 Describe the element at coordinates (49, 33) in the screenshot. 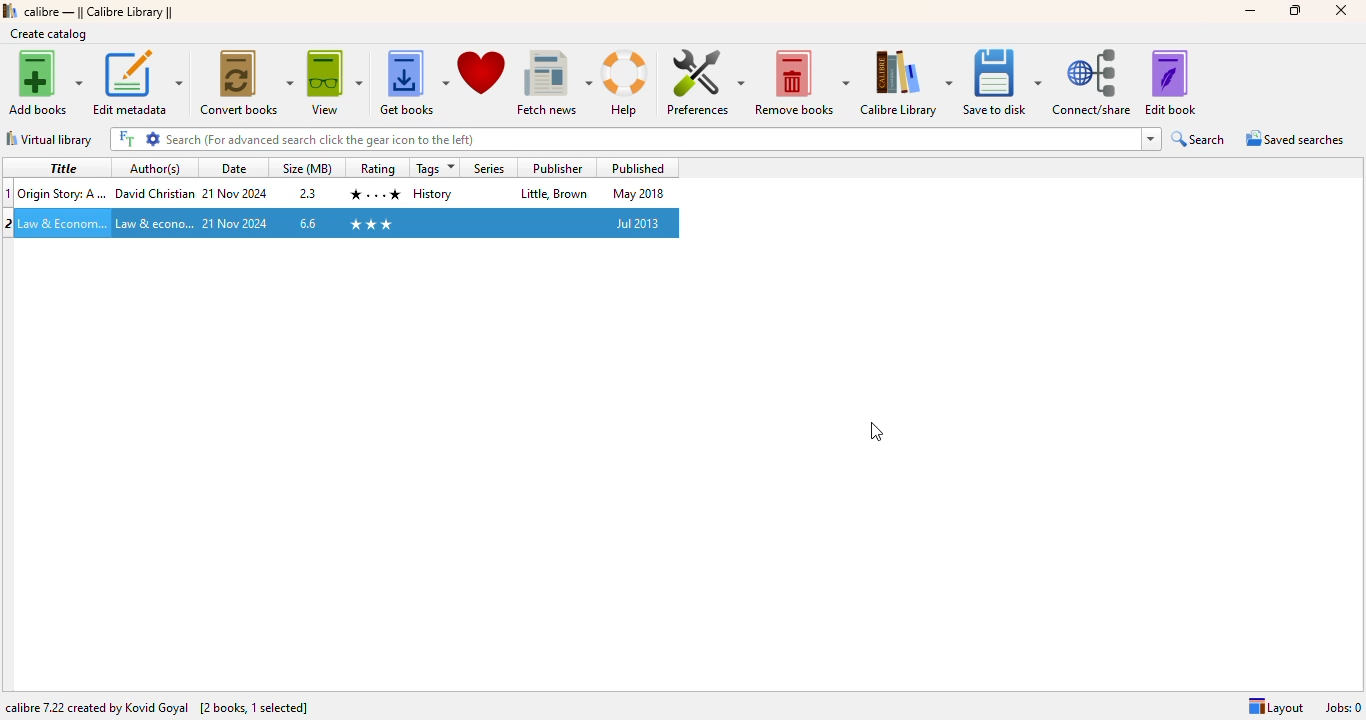

I see `create catalog` at that location.